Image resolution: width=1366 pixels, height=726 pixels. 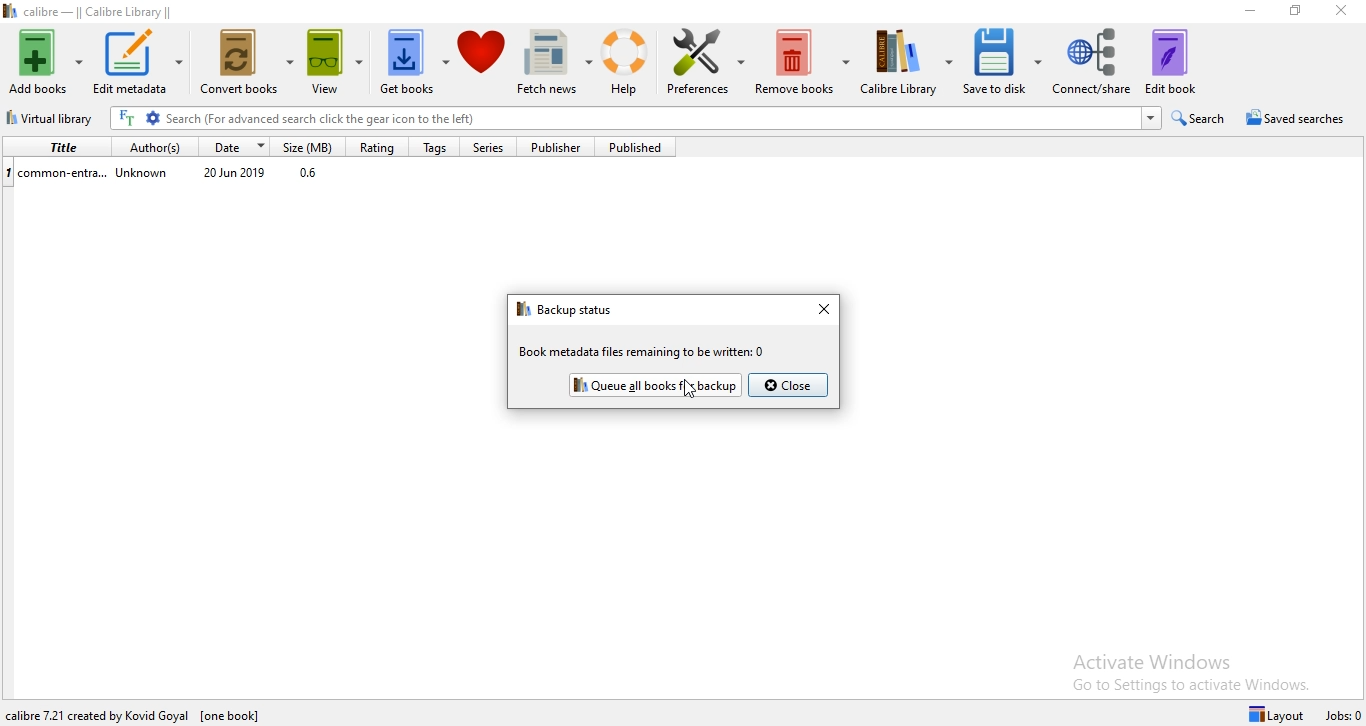 I want to click on close, so click(x=789, y=385).